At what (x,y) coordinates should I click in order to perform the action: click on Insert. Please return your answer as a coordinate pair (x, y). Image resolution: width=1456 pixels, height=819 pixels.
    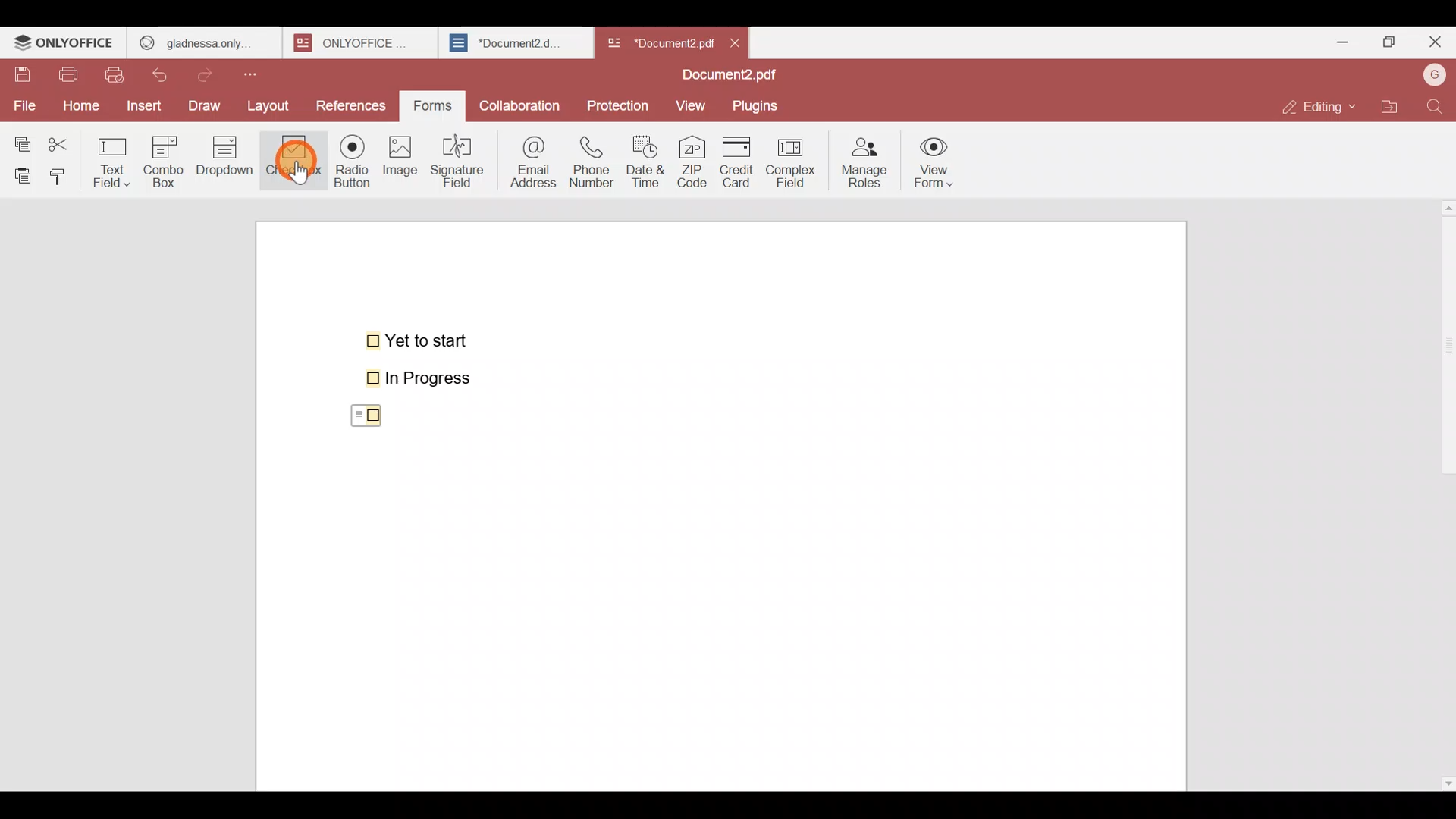
    Looking at the image, I should click on (142, 105).